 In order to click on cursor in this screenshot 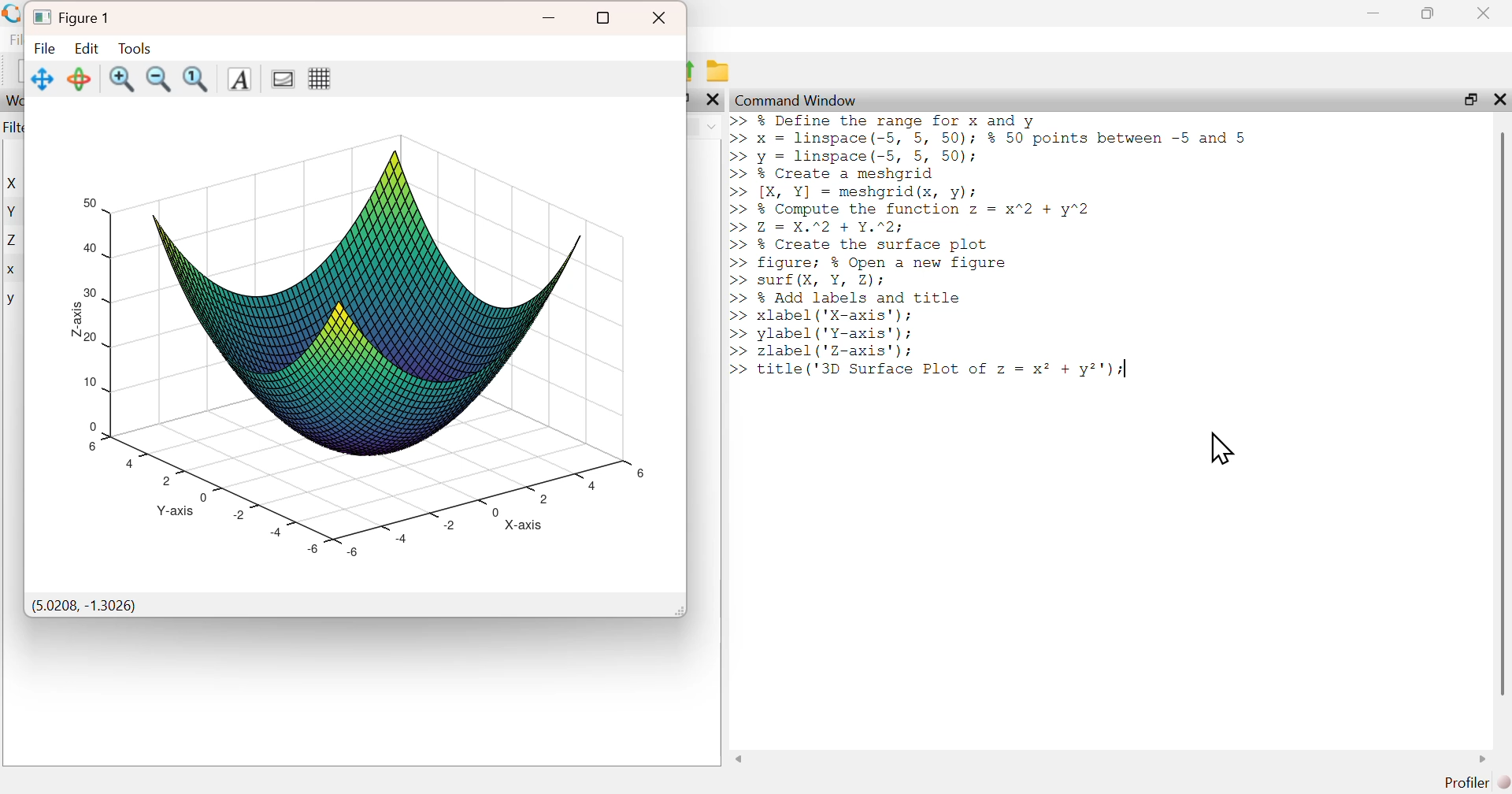, I will do `click(1221, 448)`.